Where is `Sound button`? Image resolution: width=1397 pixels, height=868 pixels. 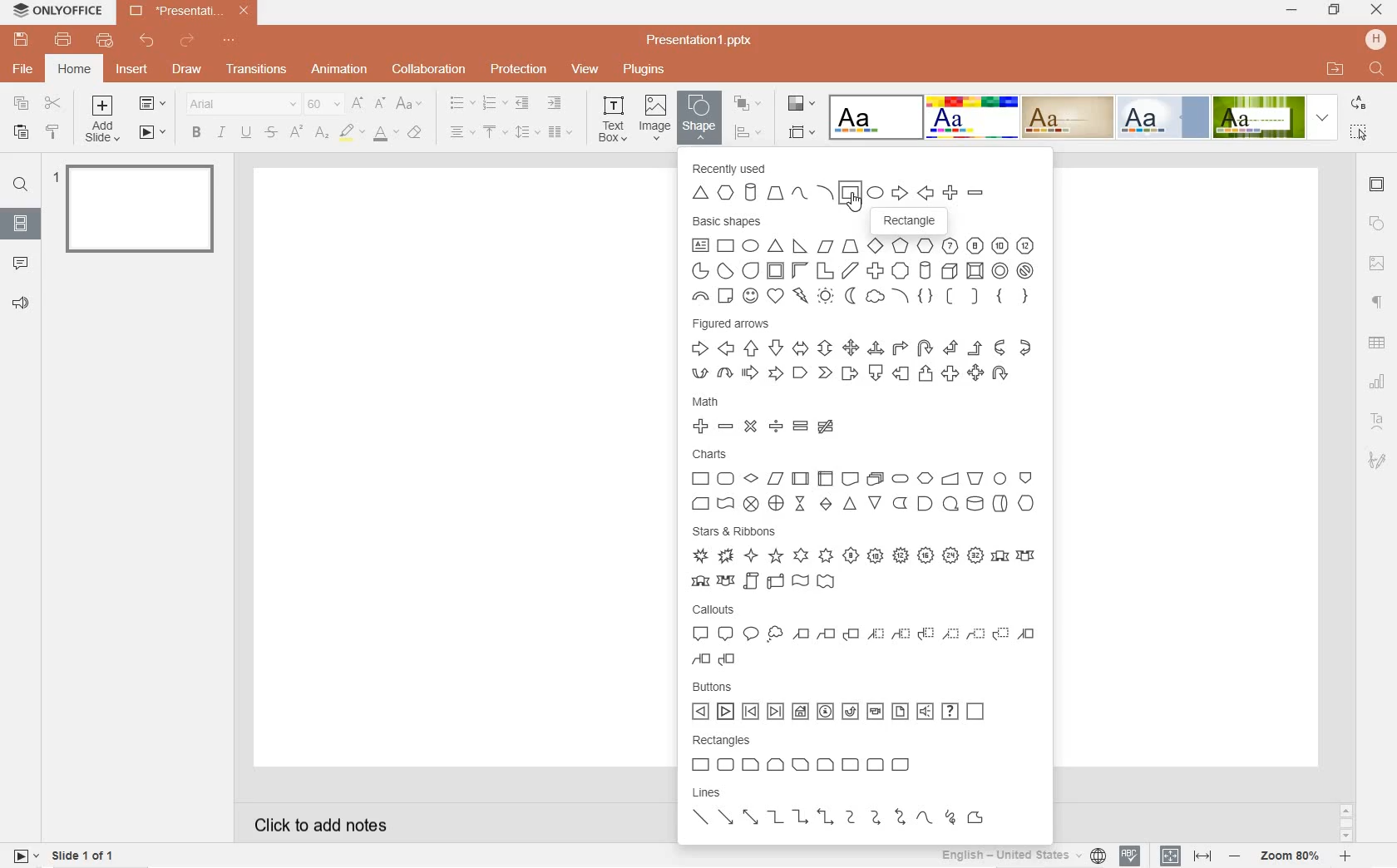
Sound button is located at coordinates (925, 713).